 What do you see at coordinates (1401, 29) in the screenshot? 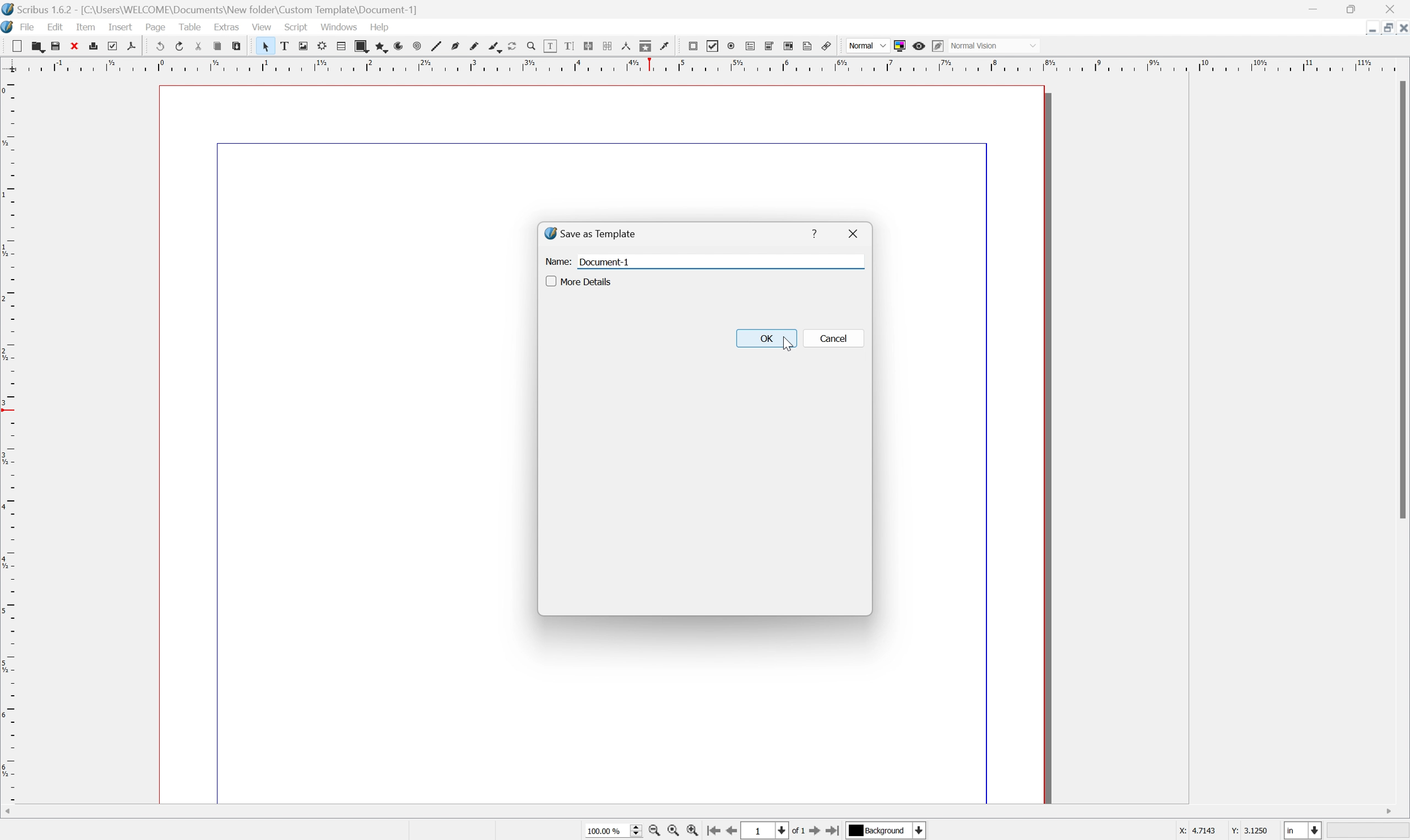
I see `Close` at bounding box center [1401, 29].